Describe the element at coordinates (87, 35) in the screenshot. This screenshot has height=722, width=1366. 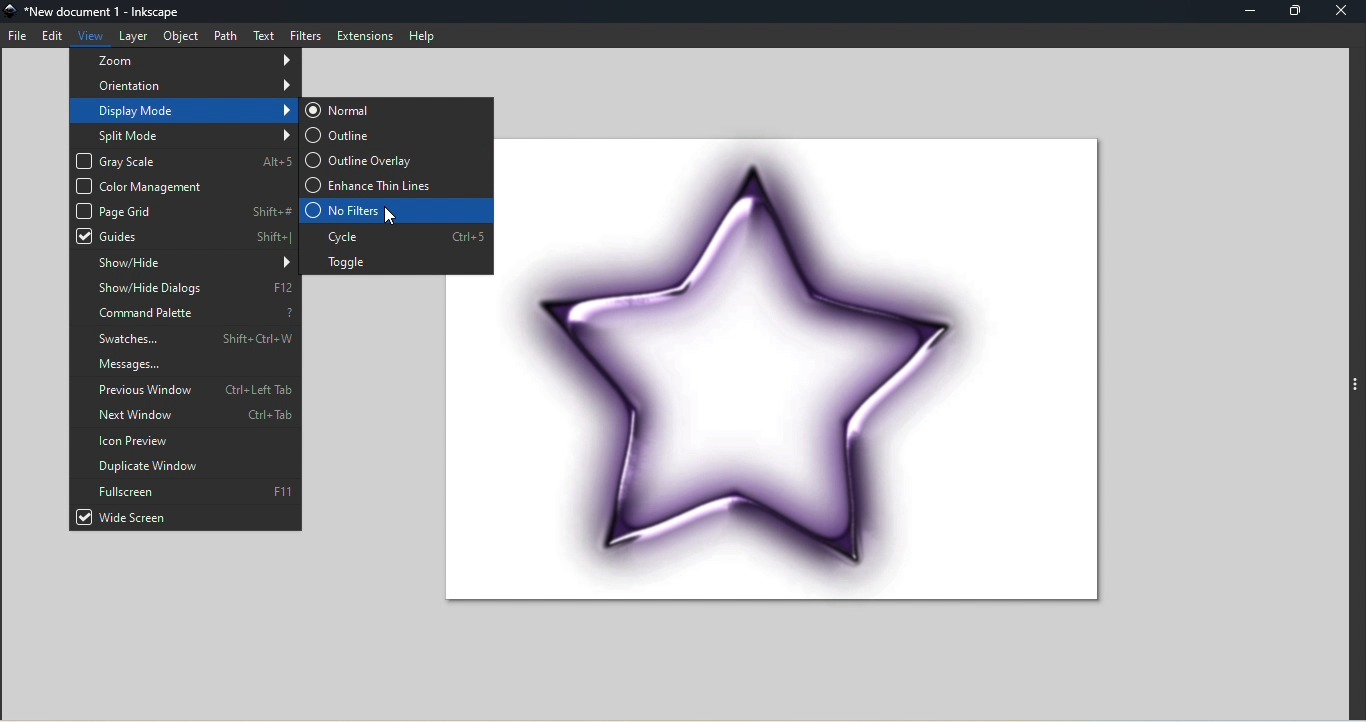
I see `View` at that location.